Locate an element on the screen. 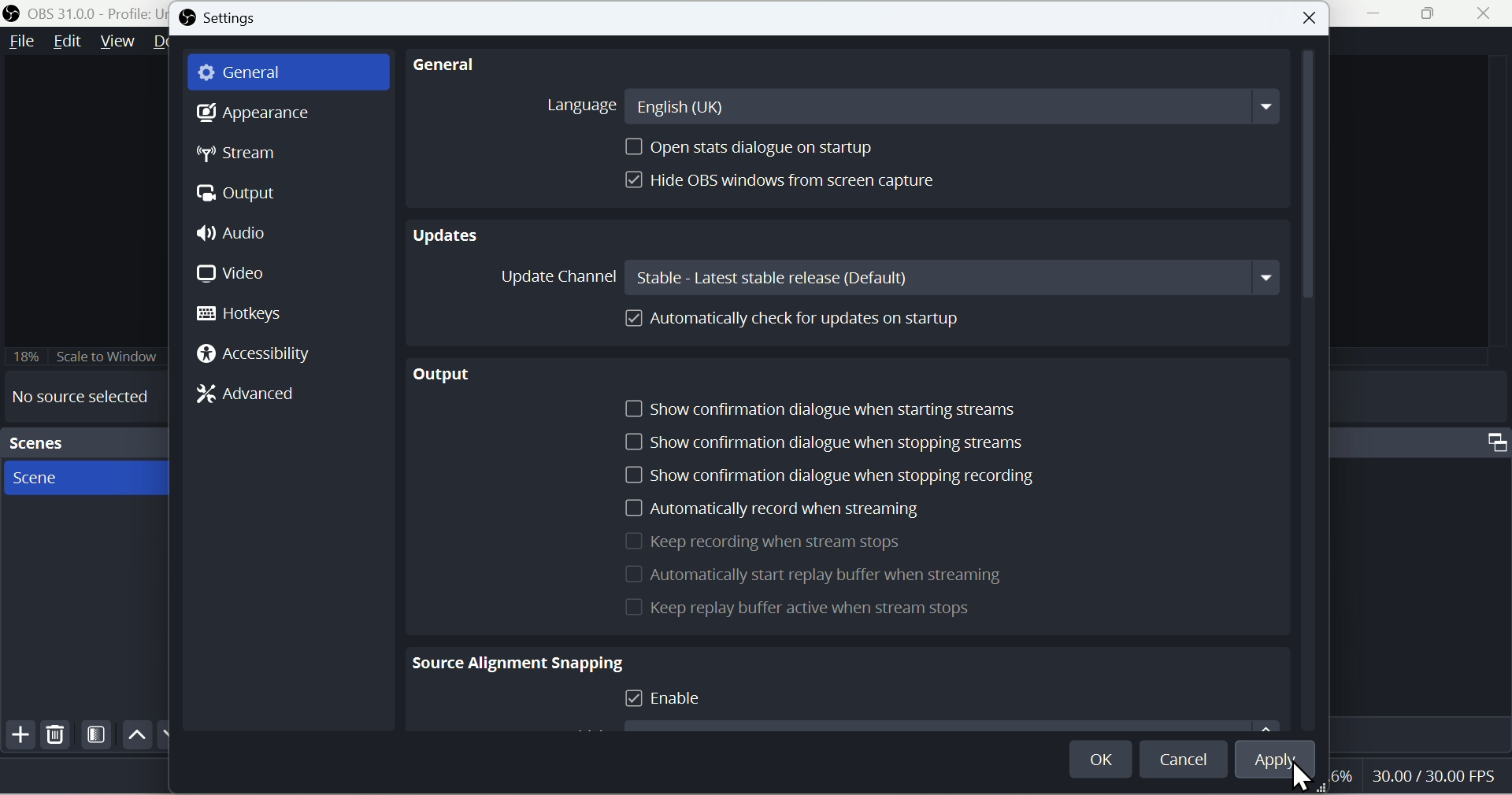 The image size is (1512, 795). Delete is located at coordinates (57, 734).